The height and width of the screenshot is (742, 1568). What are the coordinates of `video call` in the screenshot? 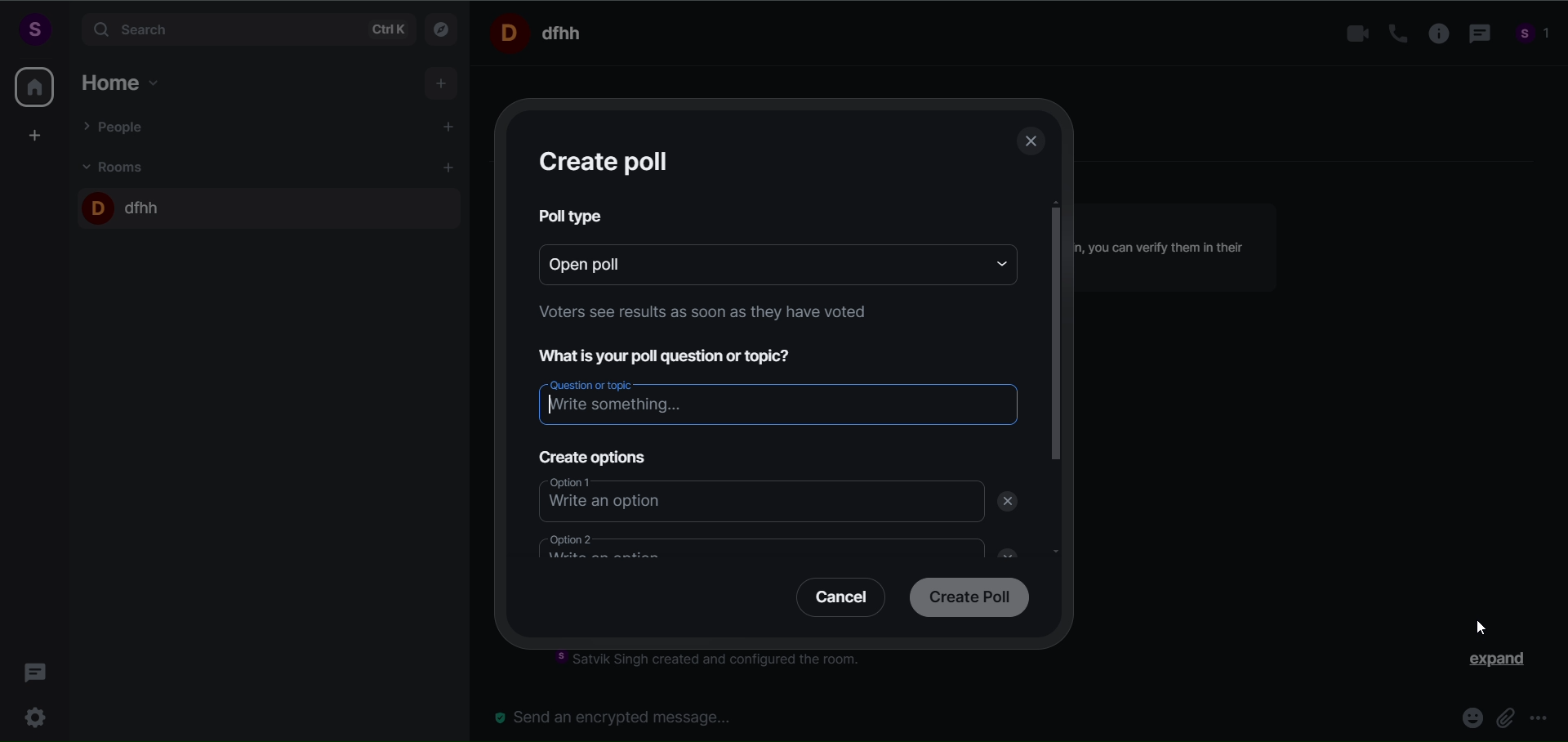 It's located at (1353, 34).